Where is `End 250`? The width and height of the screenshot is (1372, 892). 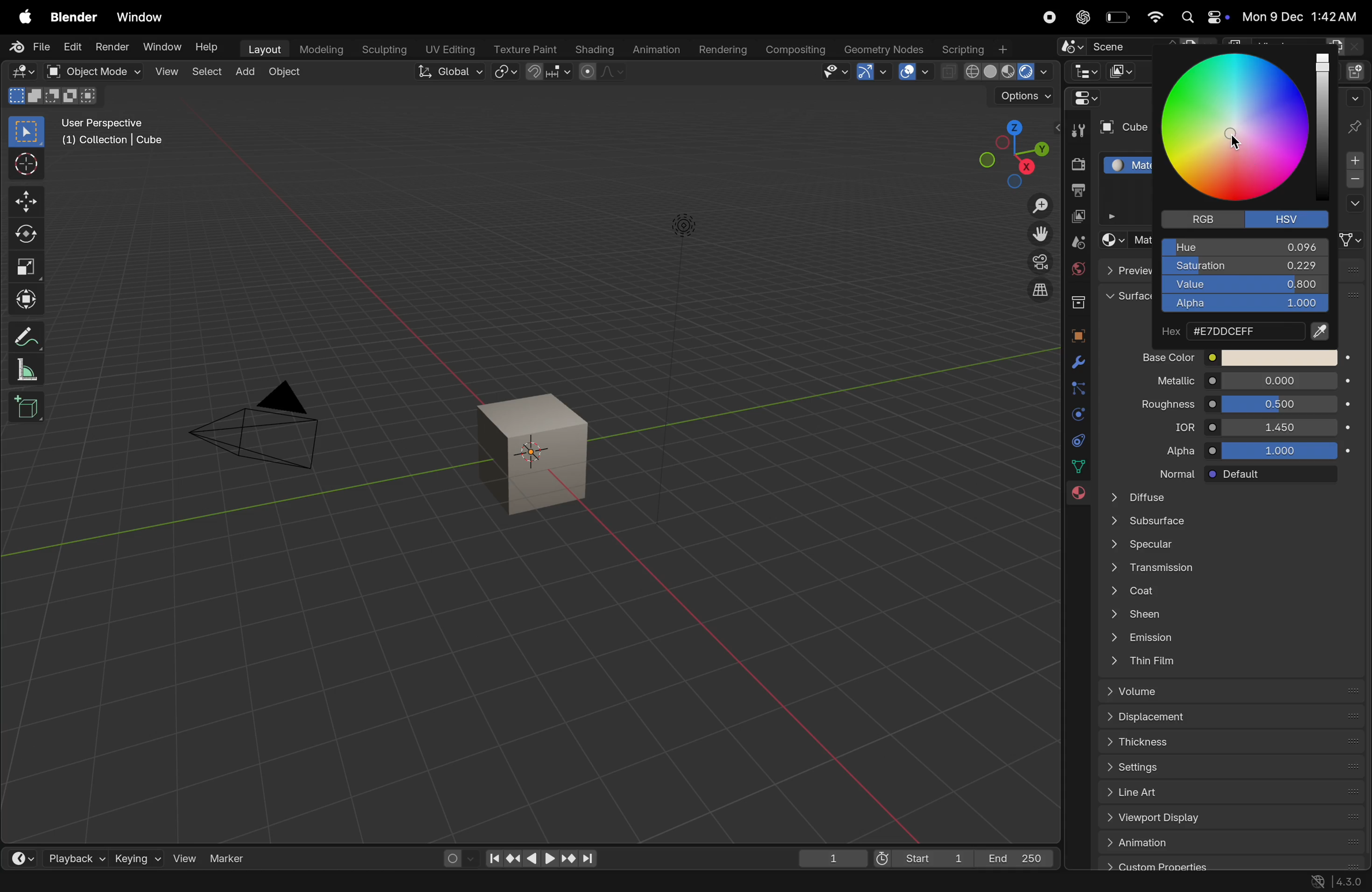
End 250 is located at coordinates (1015, 858).